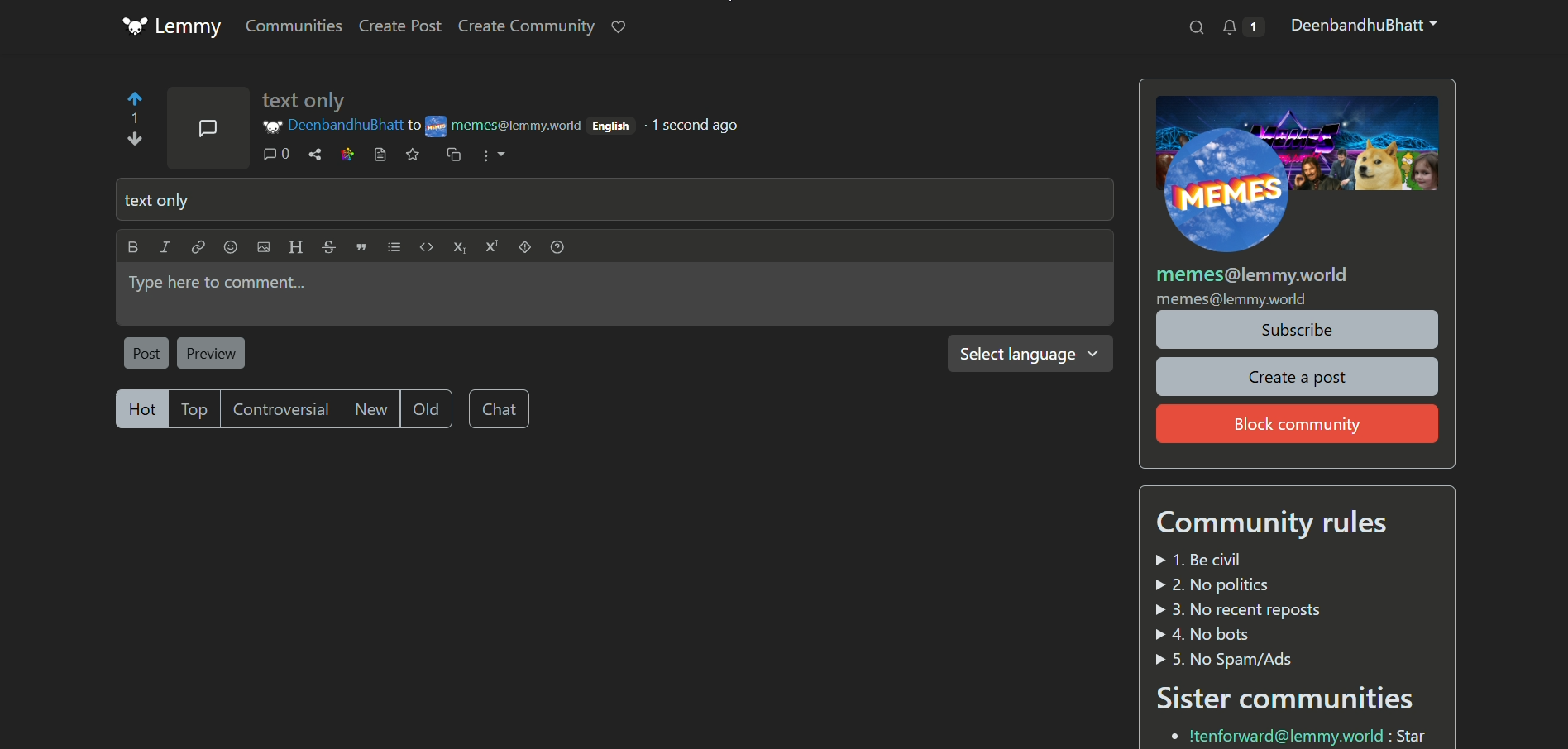 The image size is (1568, 749). Describe the element at coordinates (615, 200) in the screenshot. I see `text box` at that location.